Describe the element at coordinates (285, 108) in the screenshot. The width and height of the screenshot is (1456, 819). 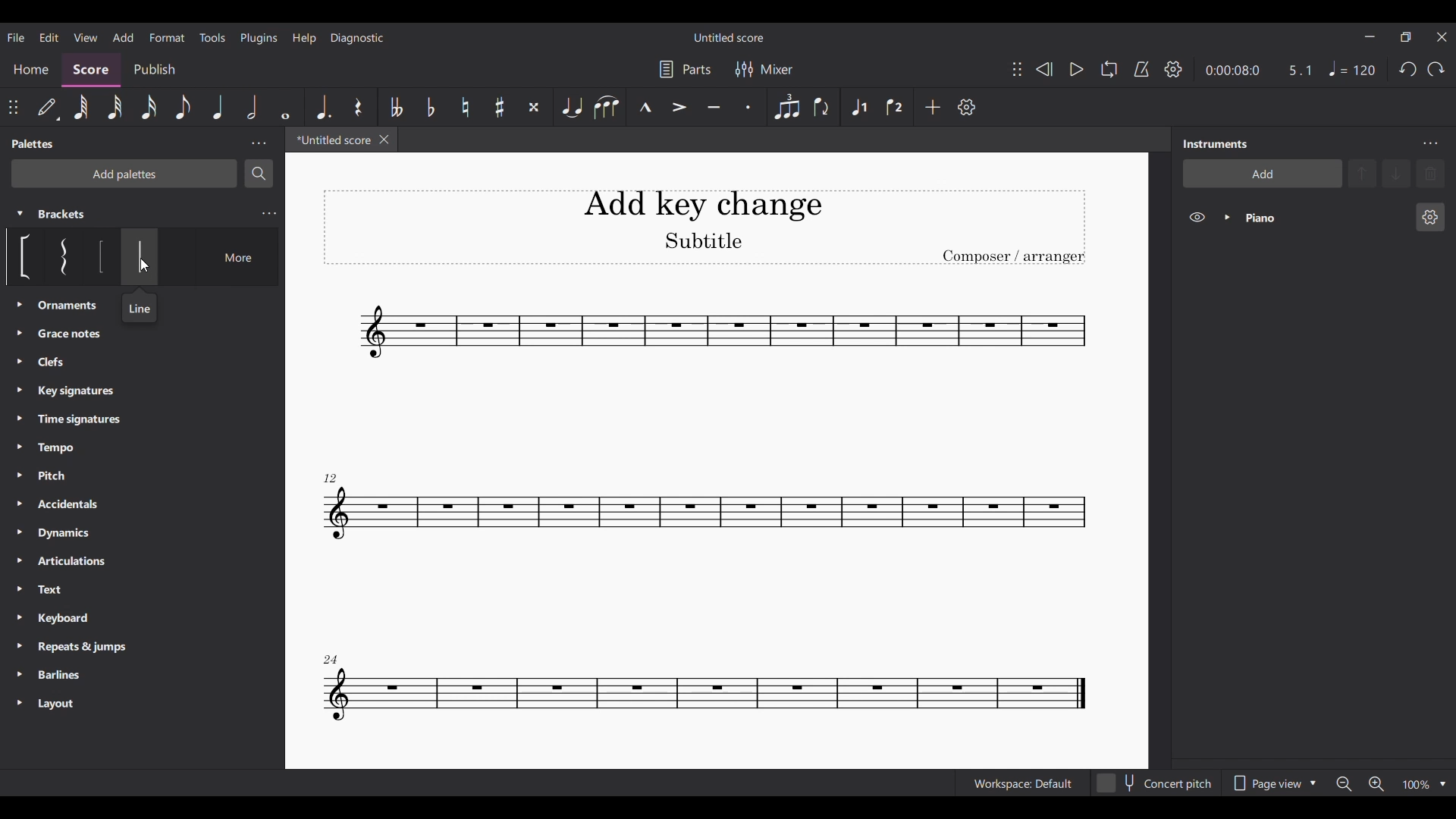
I see `Whole note` at that location.